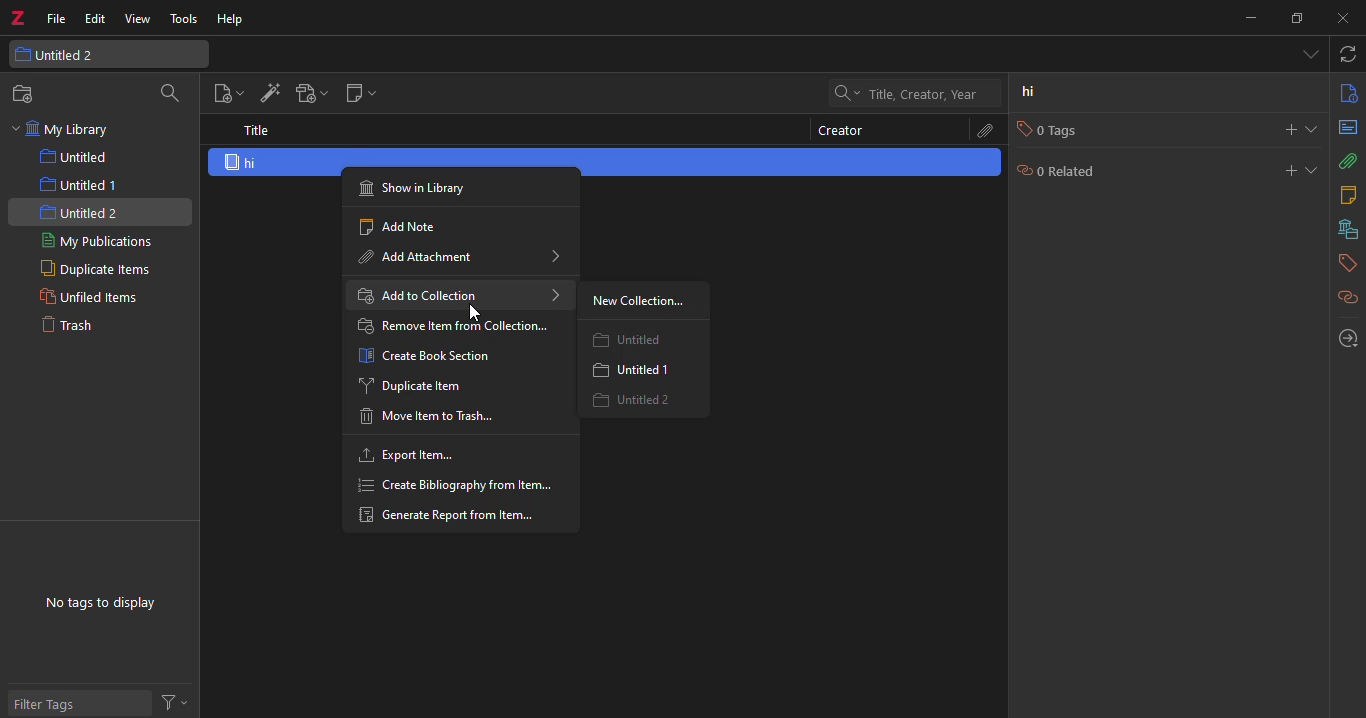  I want to click on 0 tags, so click(1050, 131).